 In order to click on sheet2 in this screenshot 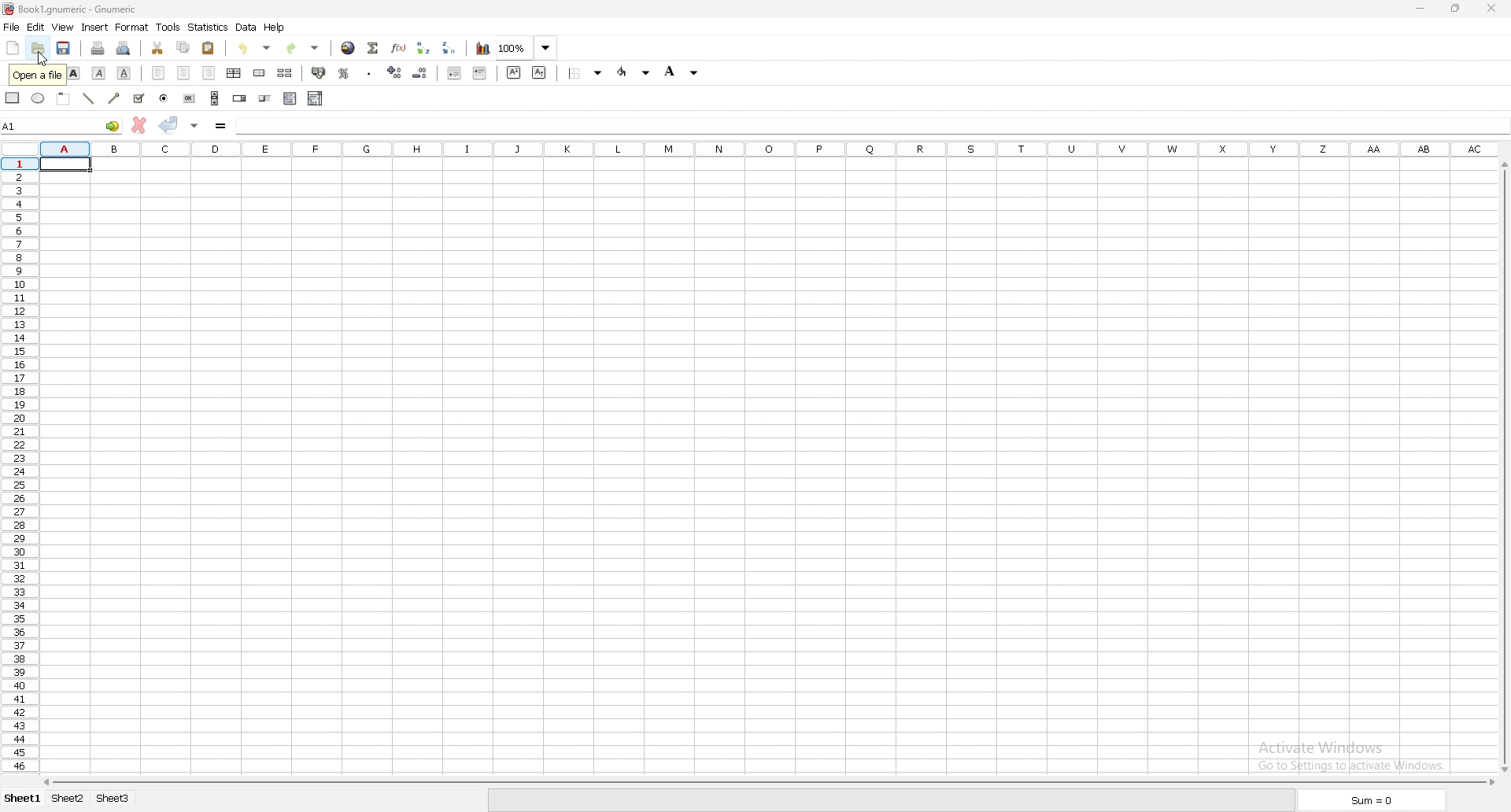, I will do `click(68, 799)`.